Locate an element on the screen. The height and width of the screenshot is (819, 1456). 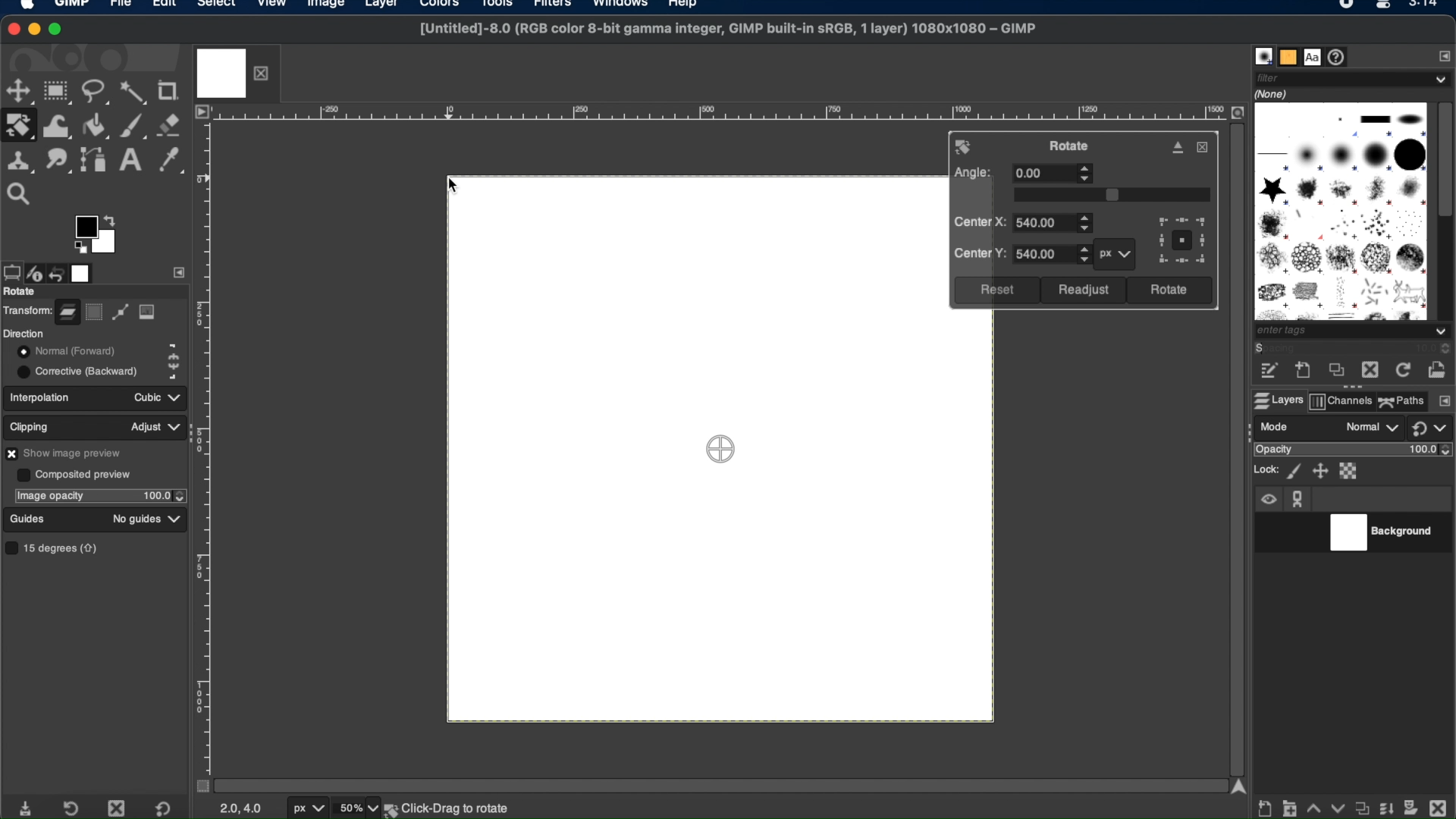
open brush as image is located at coordinates (1438, 366).